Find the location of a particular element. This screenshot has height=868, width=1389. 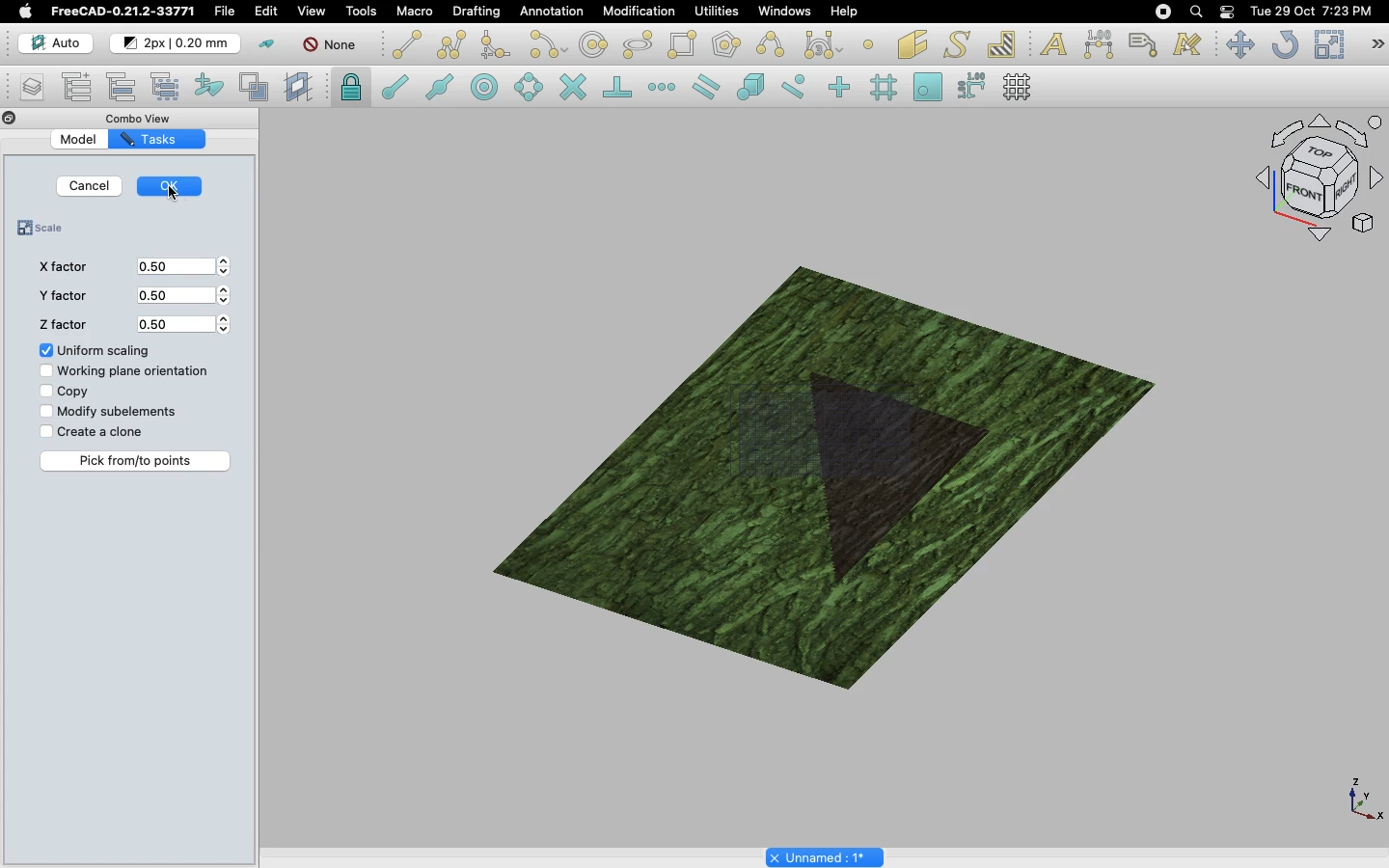

Shape from text is located at coordinates (955, 44).